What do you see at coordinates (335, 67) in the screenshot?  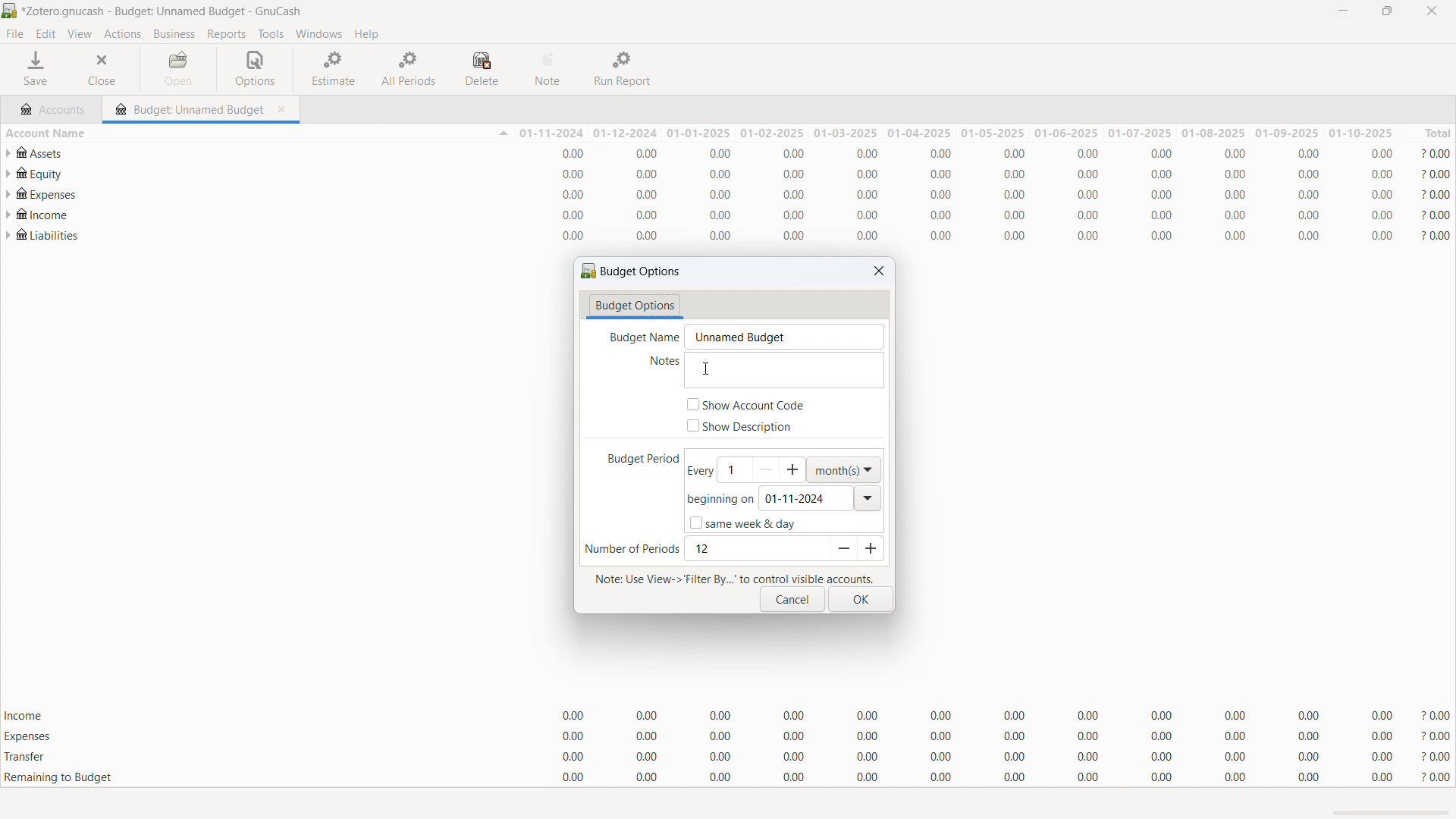 I see `estimate` at bounding box center [335, 67].